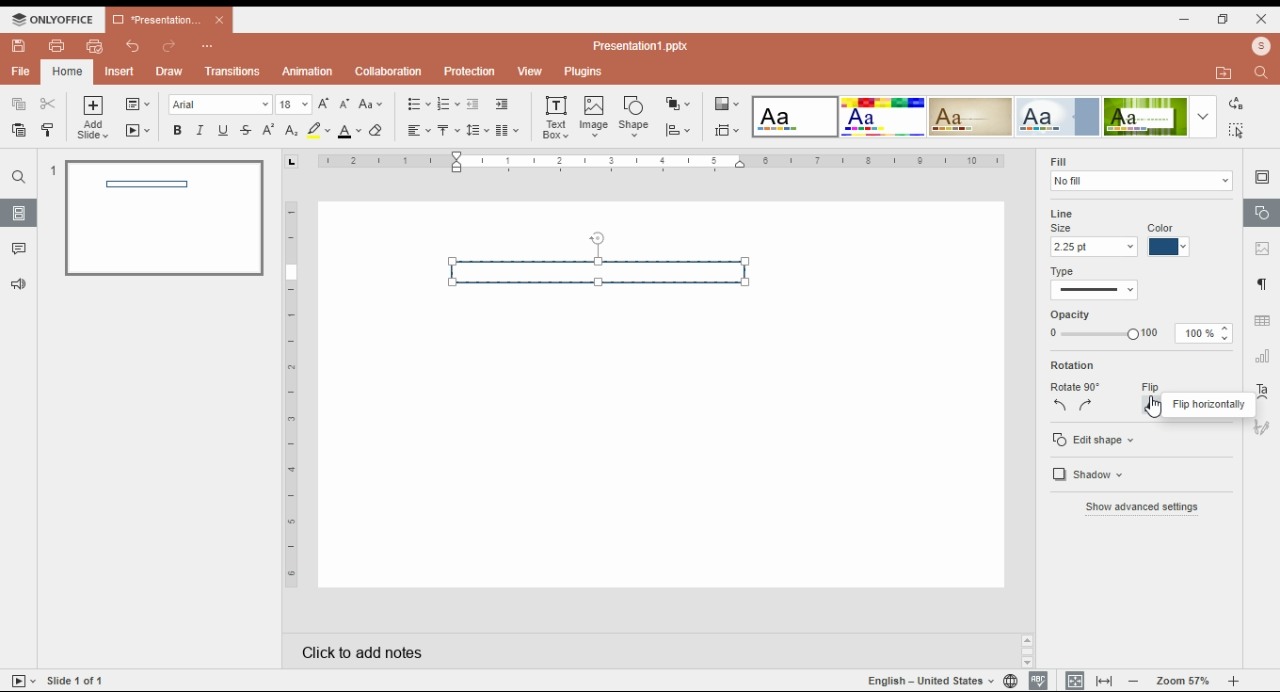 The width and height of the screenshot is (1280, 692). I want to click on line, so click(1062, 214).